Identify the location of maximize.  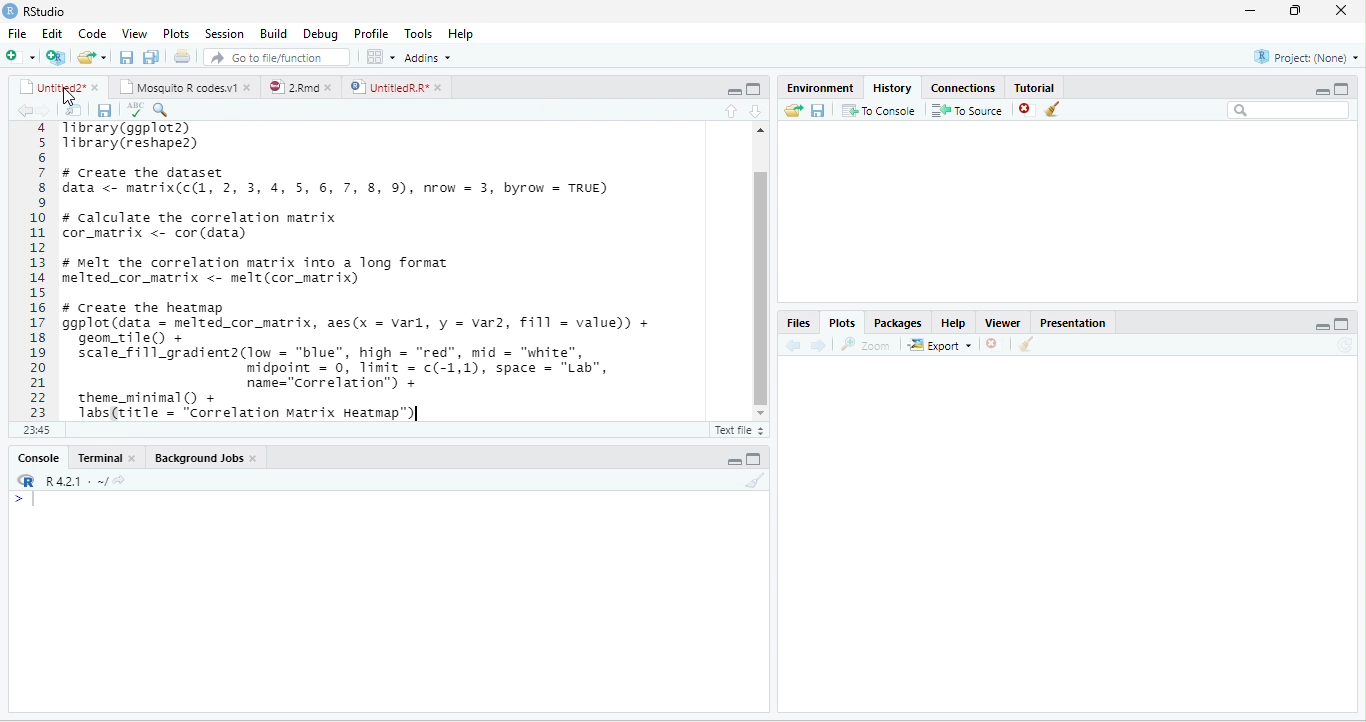
(1299, 11).